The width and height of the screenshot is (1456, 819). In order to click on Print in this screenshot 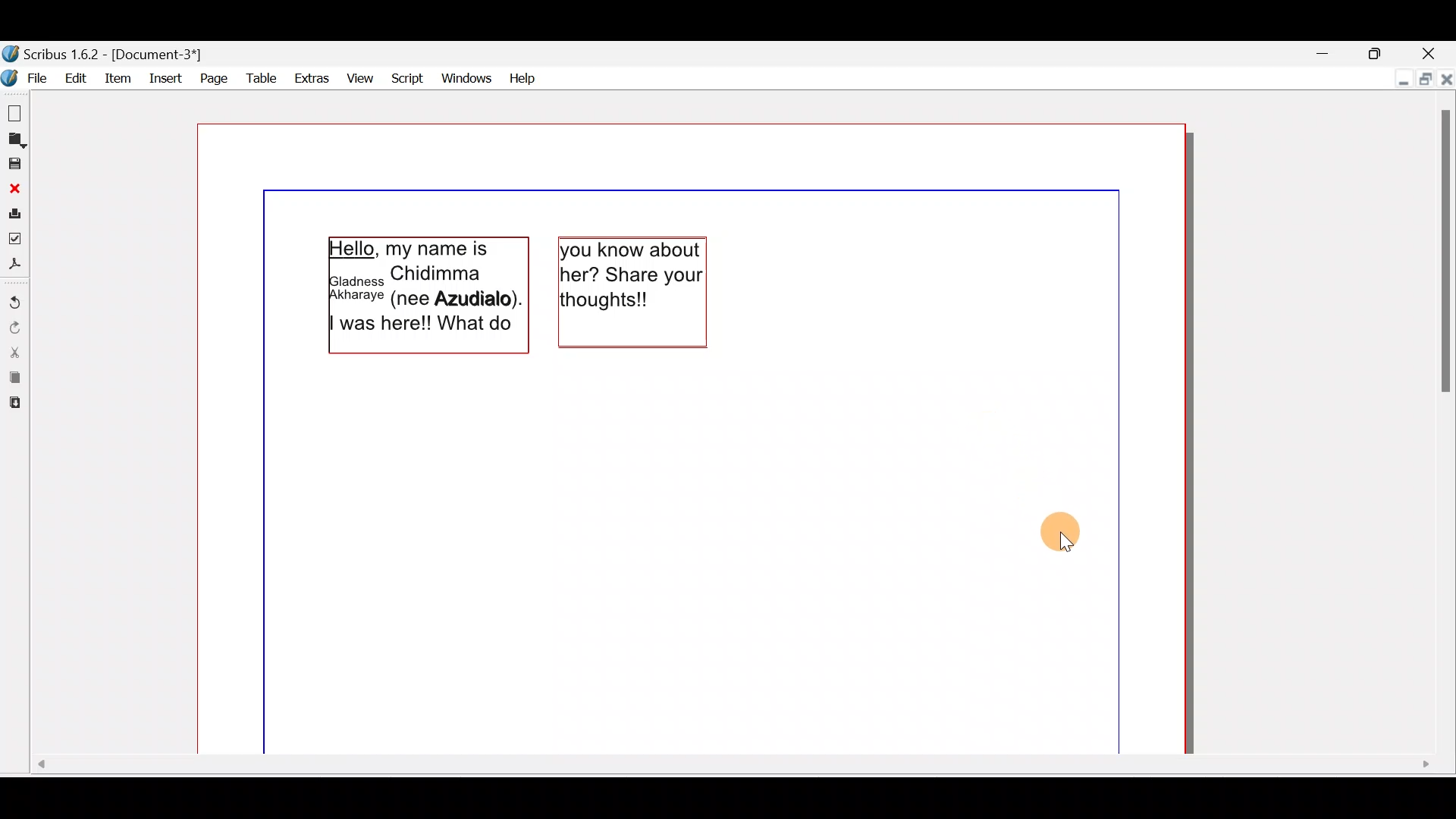, I will do `click(14, 212)`.